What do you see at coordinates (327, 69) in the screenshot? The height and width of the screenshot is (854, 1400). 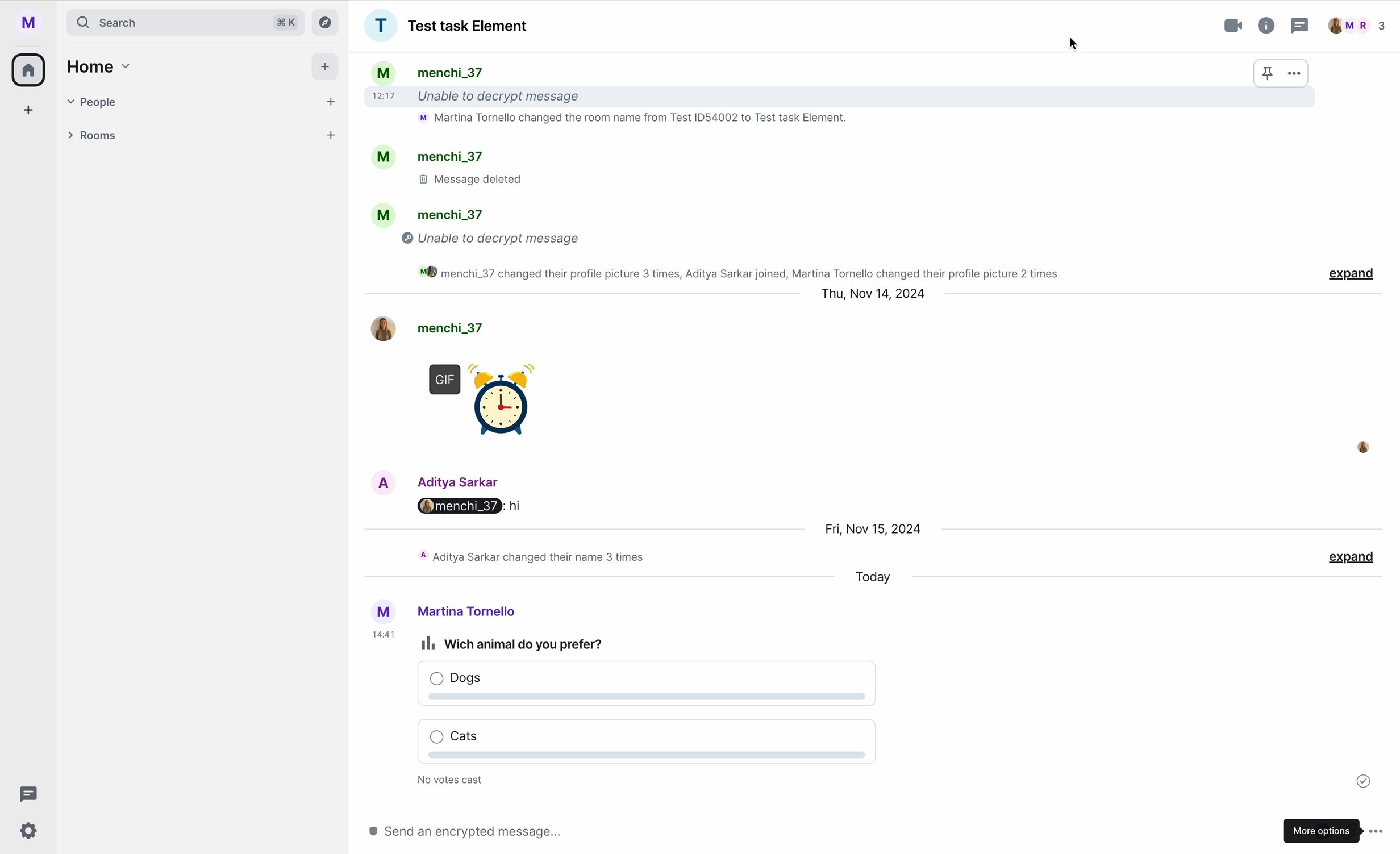 I see `add` at bounding box center [327, 69].